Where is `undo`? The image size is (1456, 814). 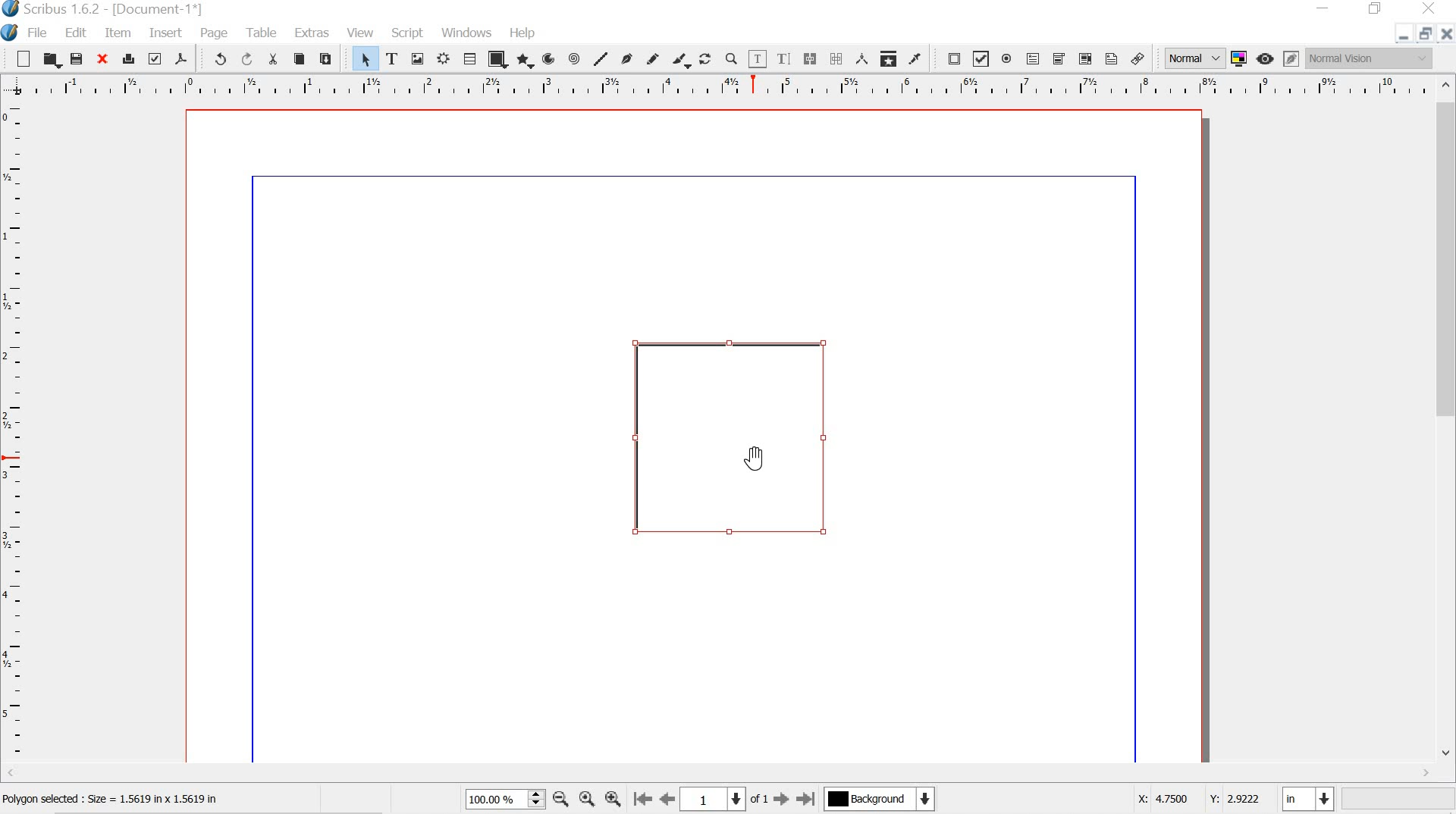
undo is located at coordinates (218, 61).